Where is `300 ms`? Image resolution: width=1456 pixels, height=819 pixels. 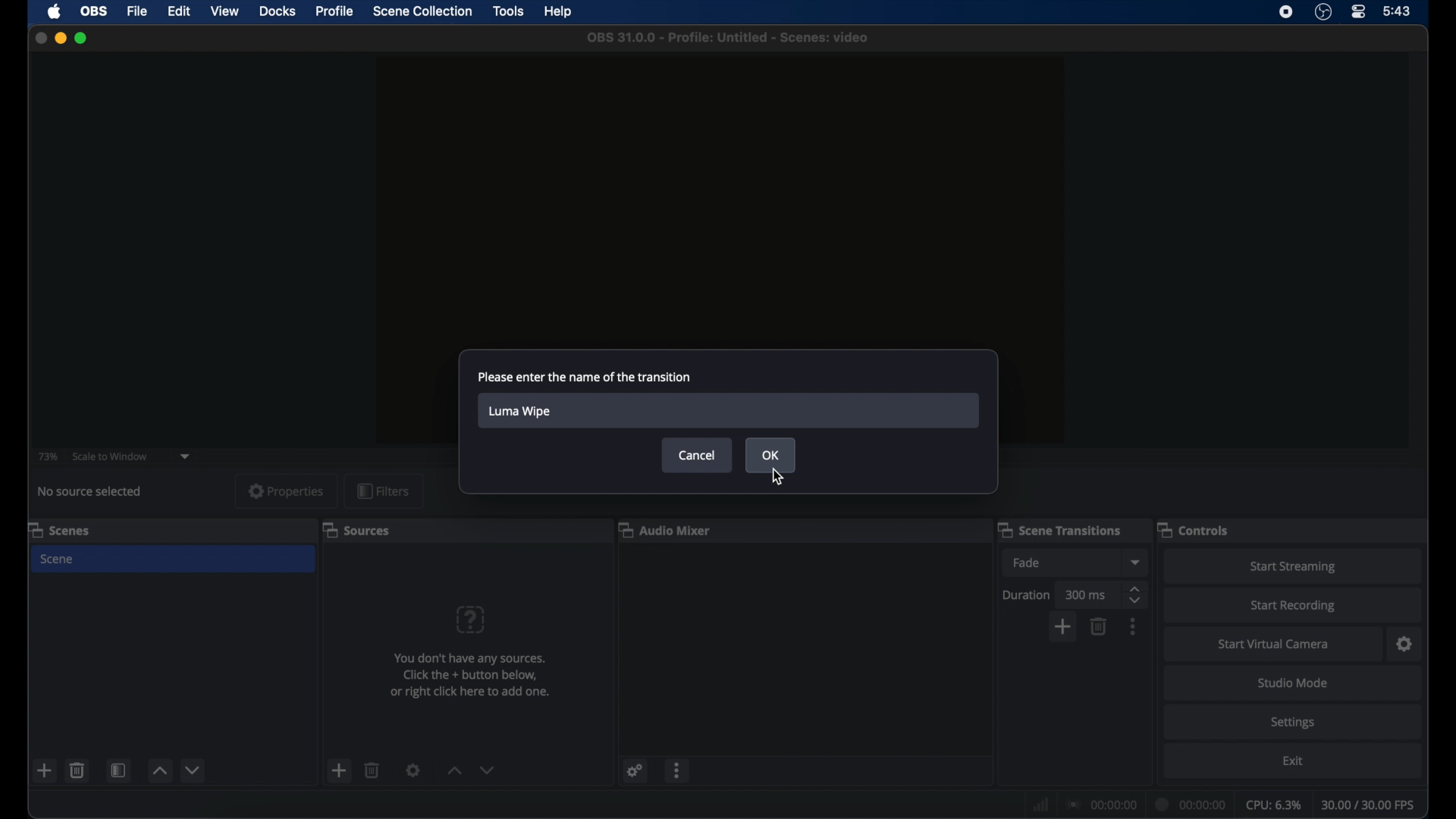 300 ms is located at coordinates (1087, 595).